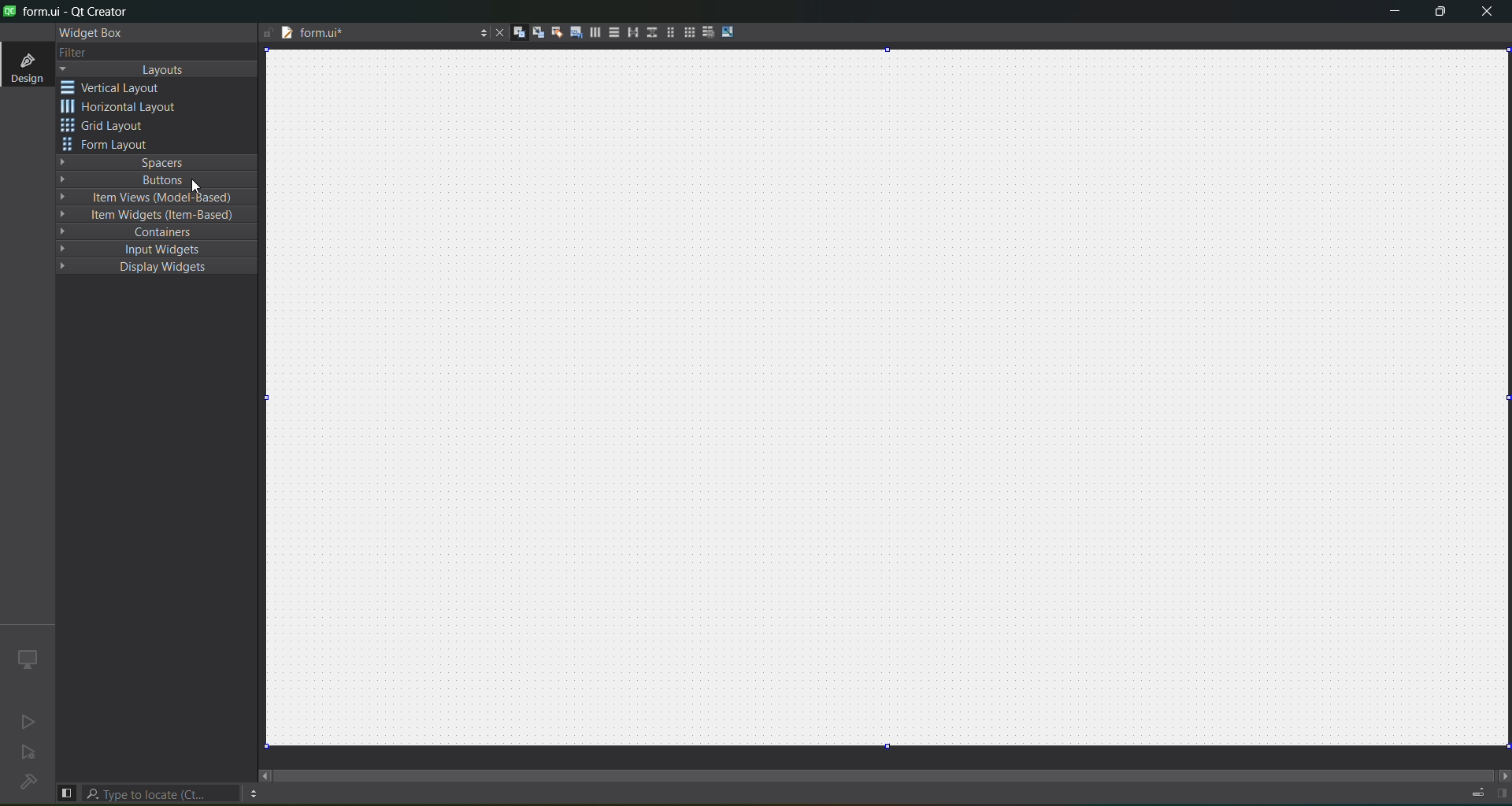  I want to click on horizontal layout, so click(124, 109).